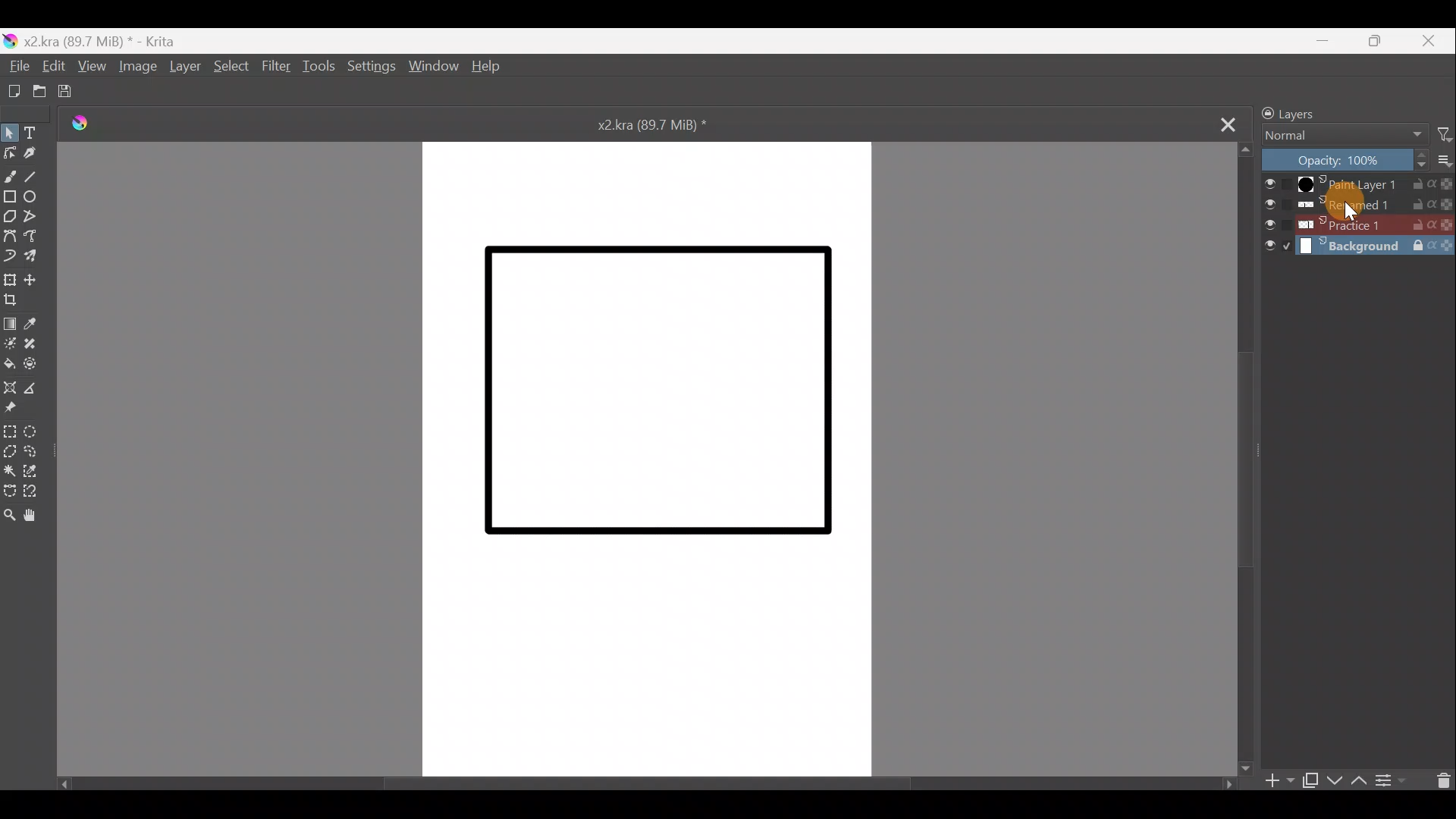  Describe the element at coordinates (1341, 160) in the screenshot. I see `Layer opacity: 100%` at that location.